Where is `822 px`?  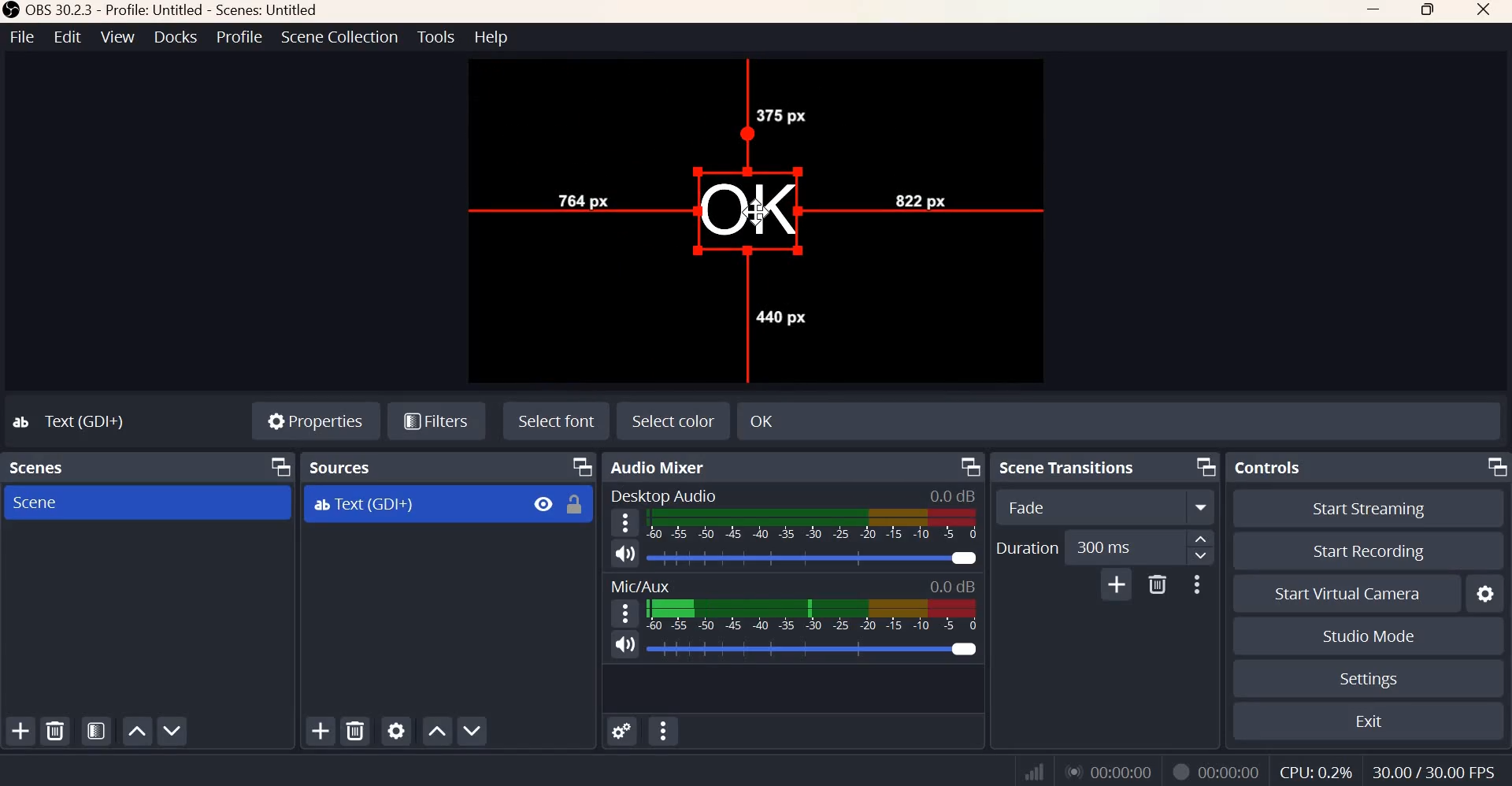
822 px is located at coordinates (917, 198).